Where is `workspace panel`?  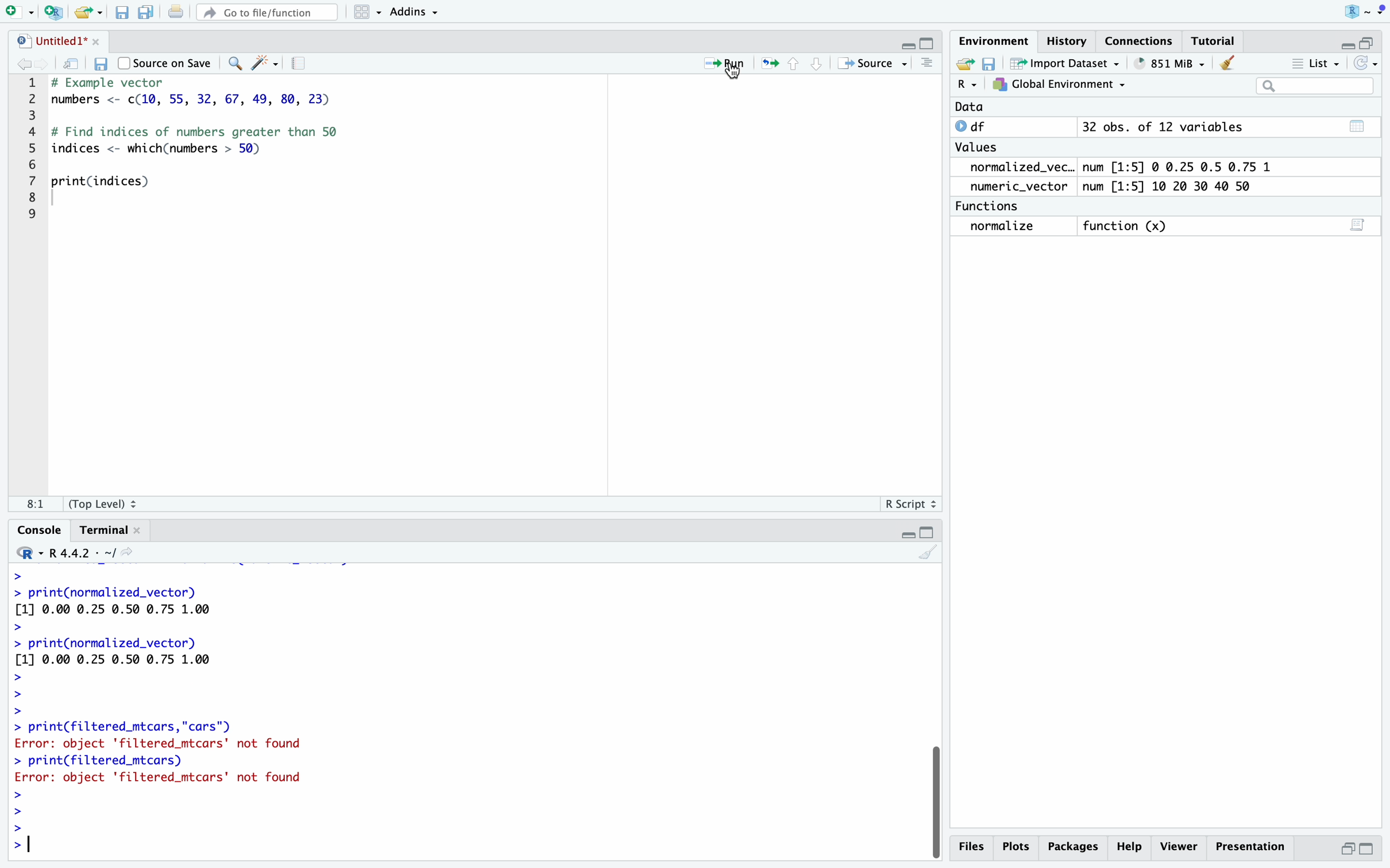 workspace panel is located at coordinates (362, 12).